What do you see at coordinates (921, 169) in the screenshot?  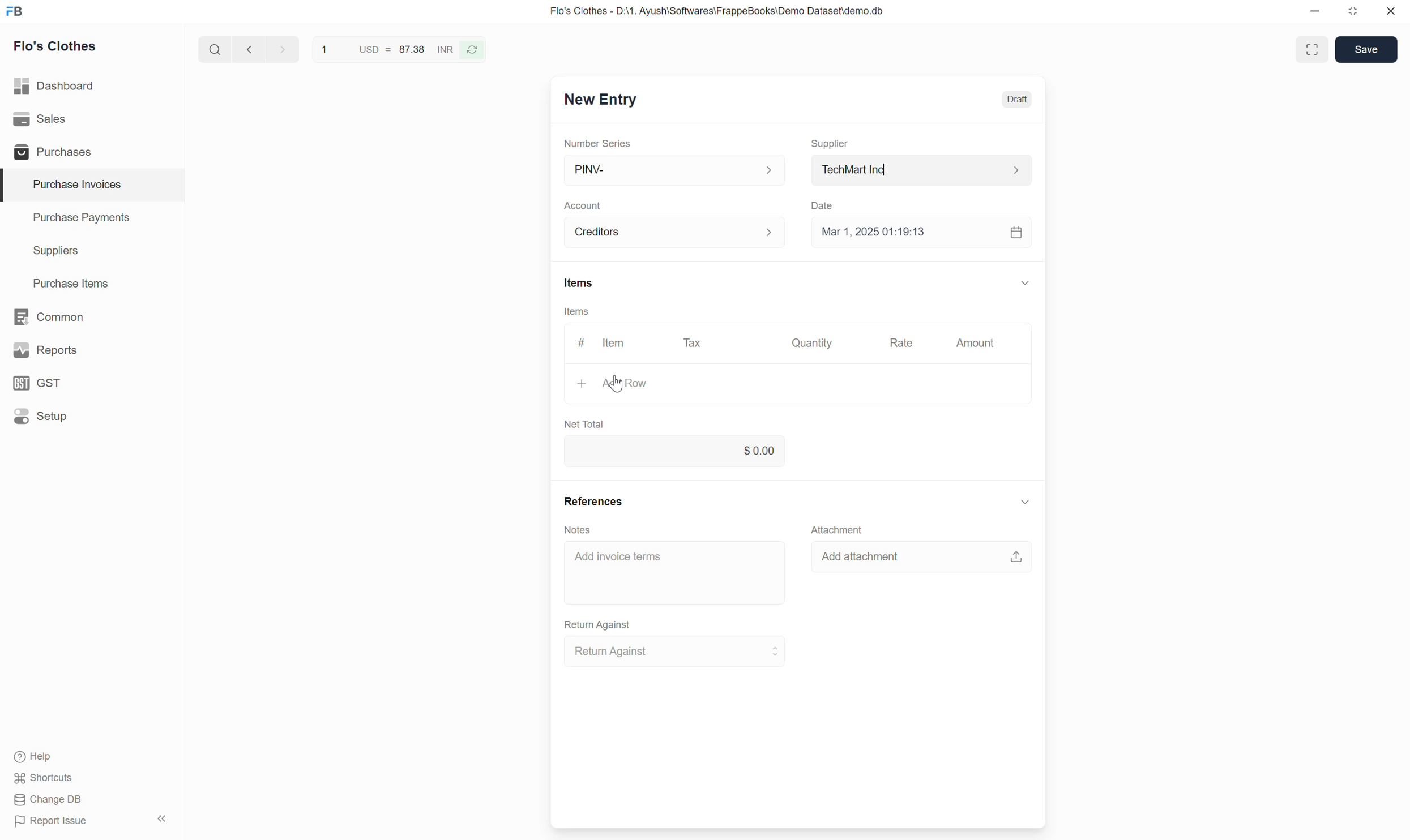 I see `TechMart Inc.` at bounding box center [921, 169].